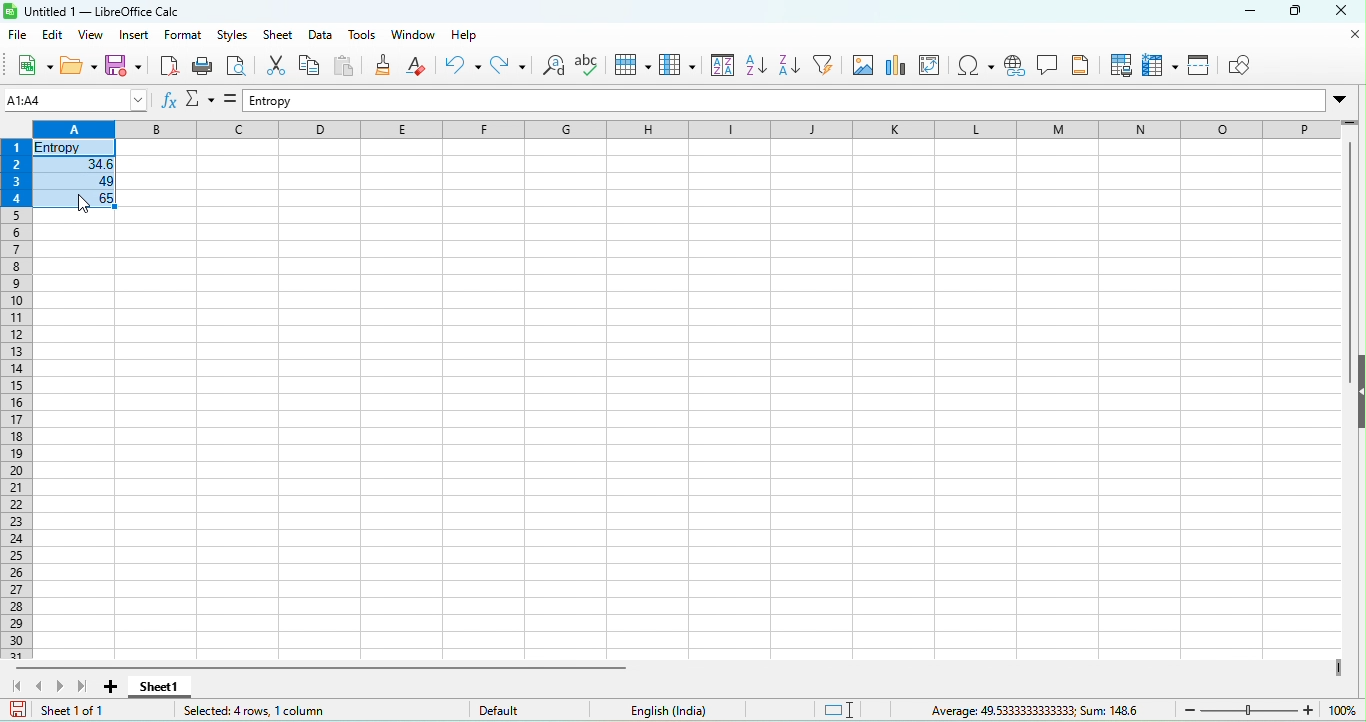 The width and height of the screenshot is (1366, 722). I want to click on view, so click(93, 36).